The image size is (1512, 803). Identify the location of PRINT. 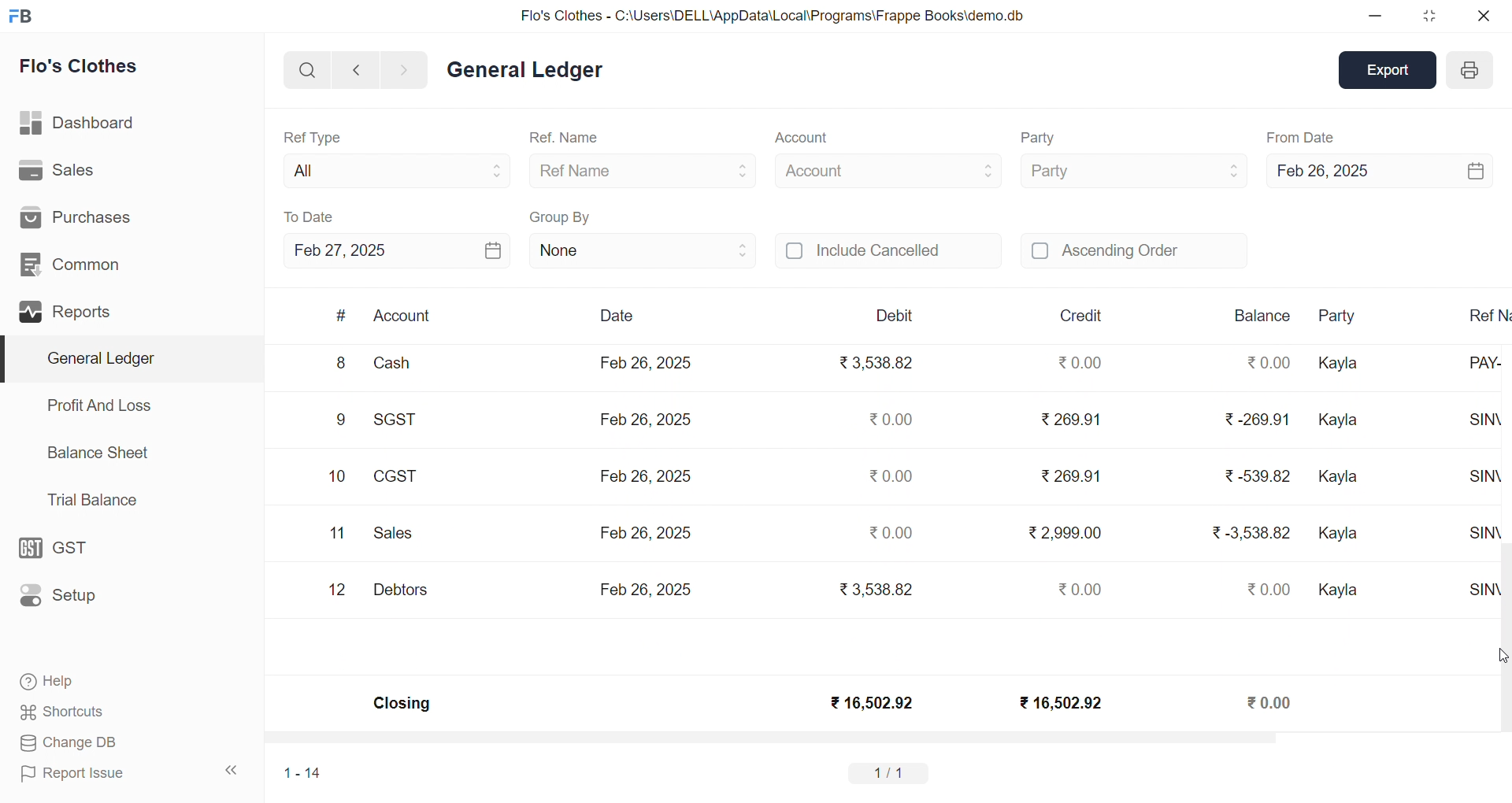
(1469, 72).